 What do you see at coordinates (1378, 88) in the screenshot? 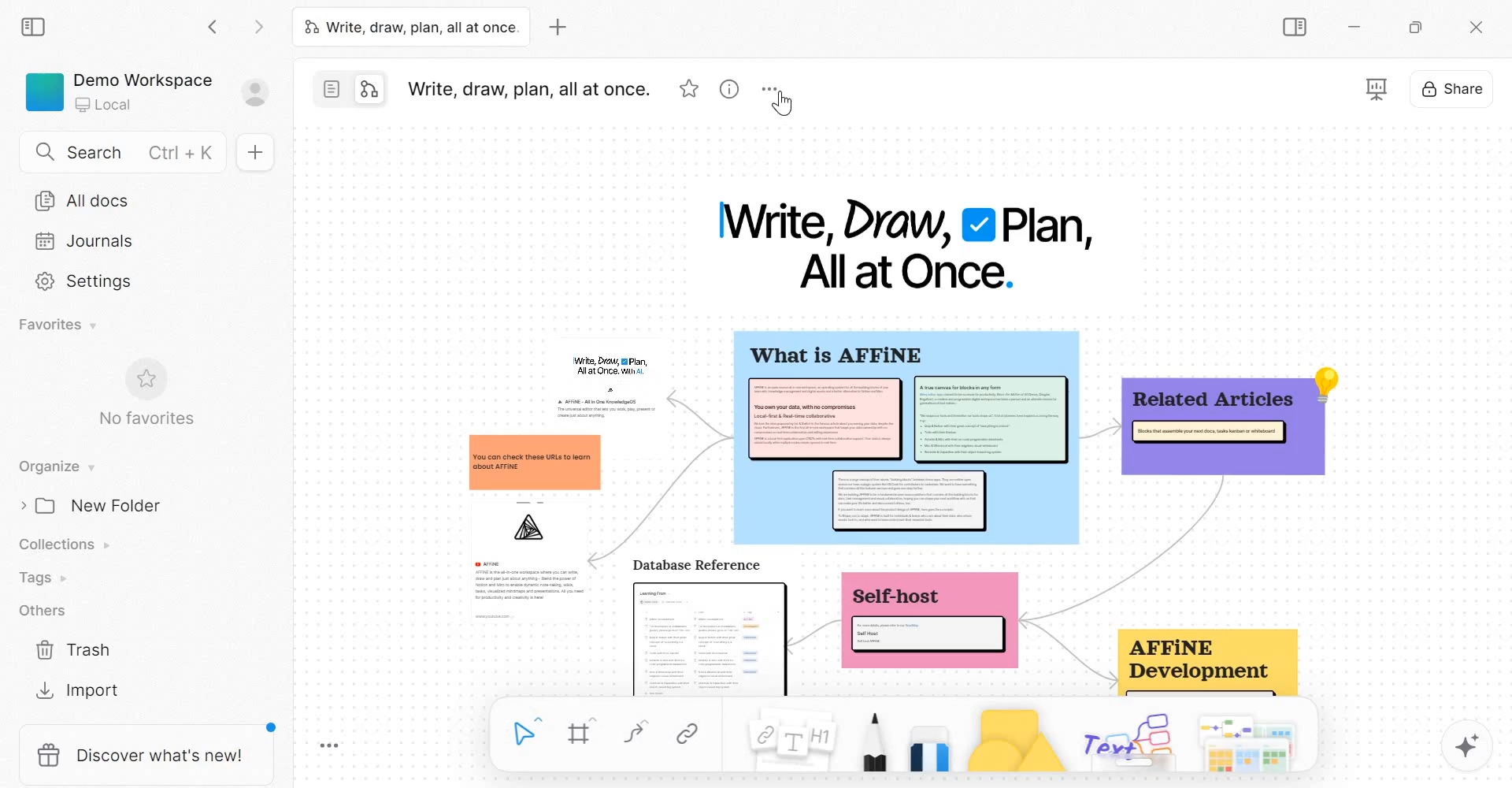
I see `presentation mode` at bounding box center [1378, 88].